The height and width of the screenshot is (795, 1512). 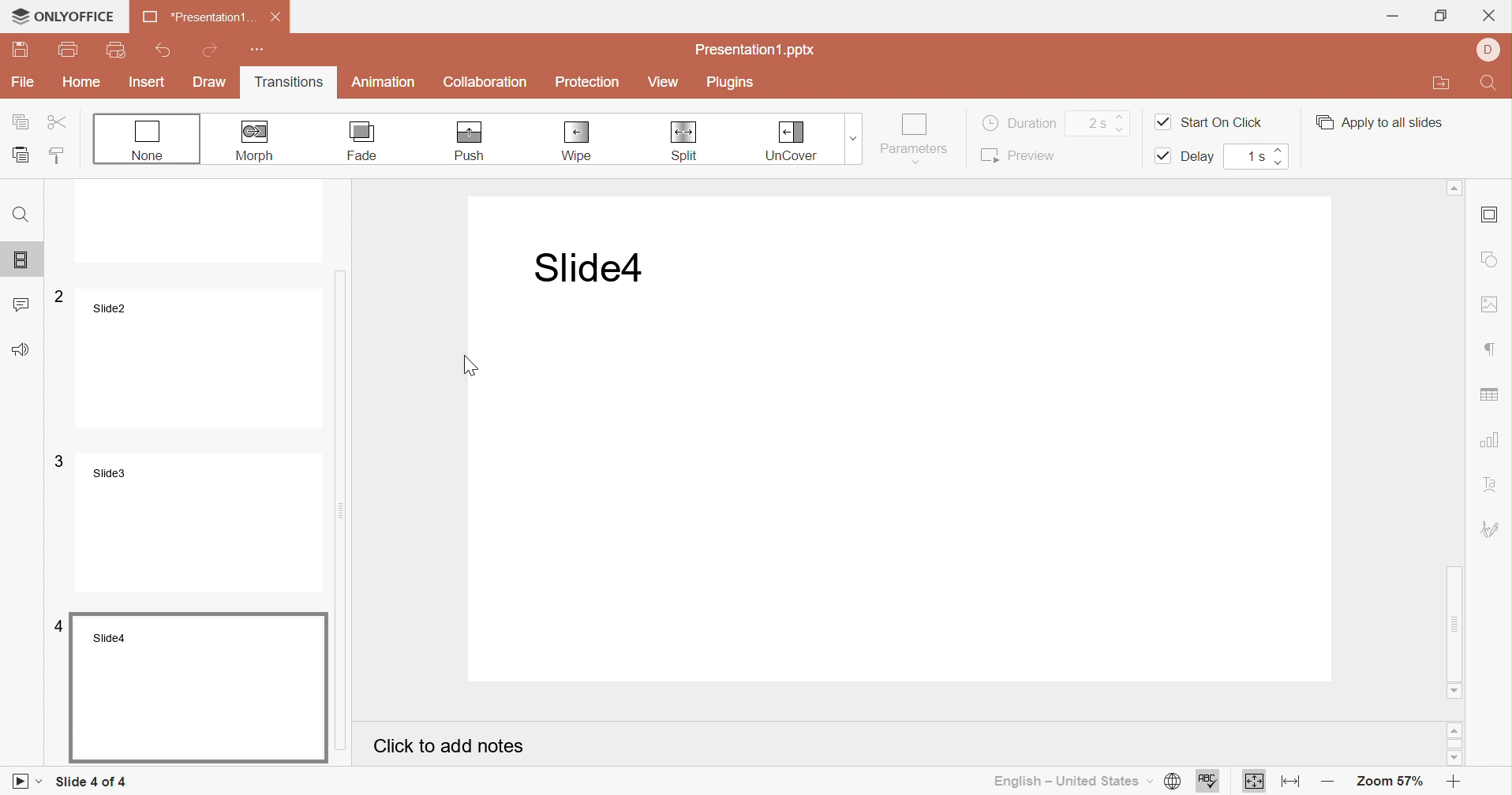 I want to click on Home, so click(x=81, y=81).